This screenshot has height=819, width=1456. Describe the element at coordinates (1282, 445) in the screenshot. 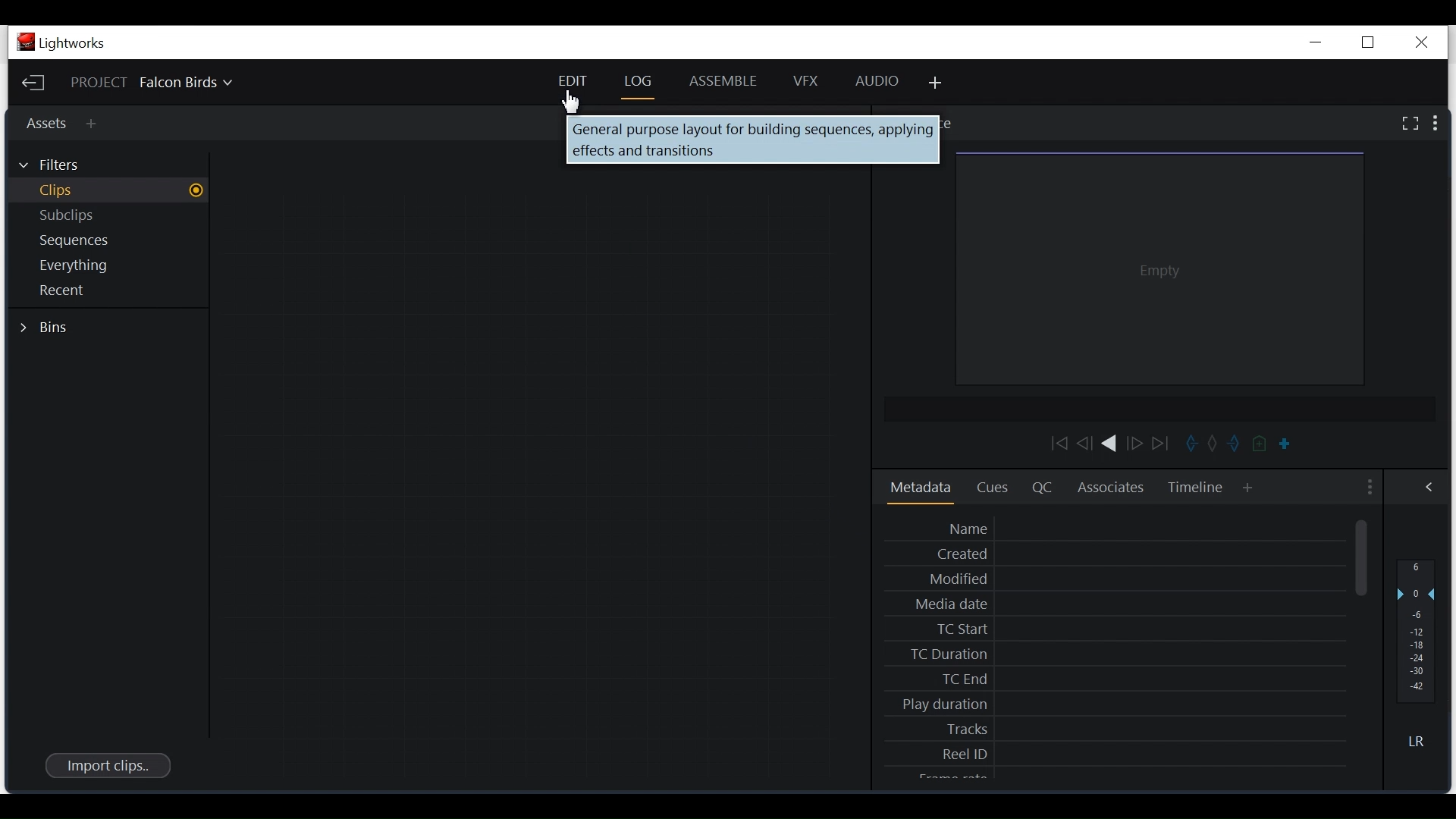

I see `Scrub bar` at that location.